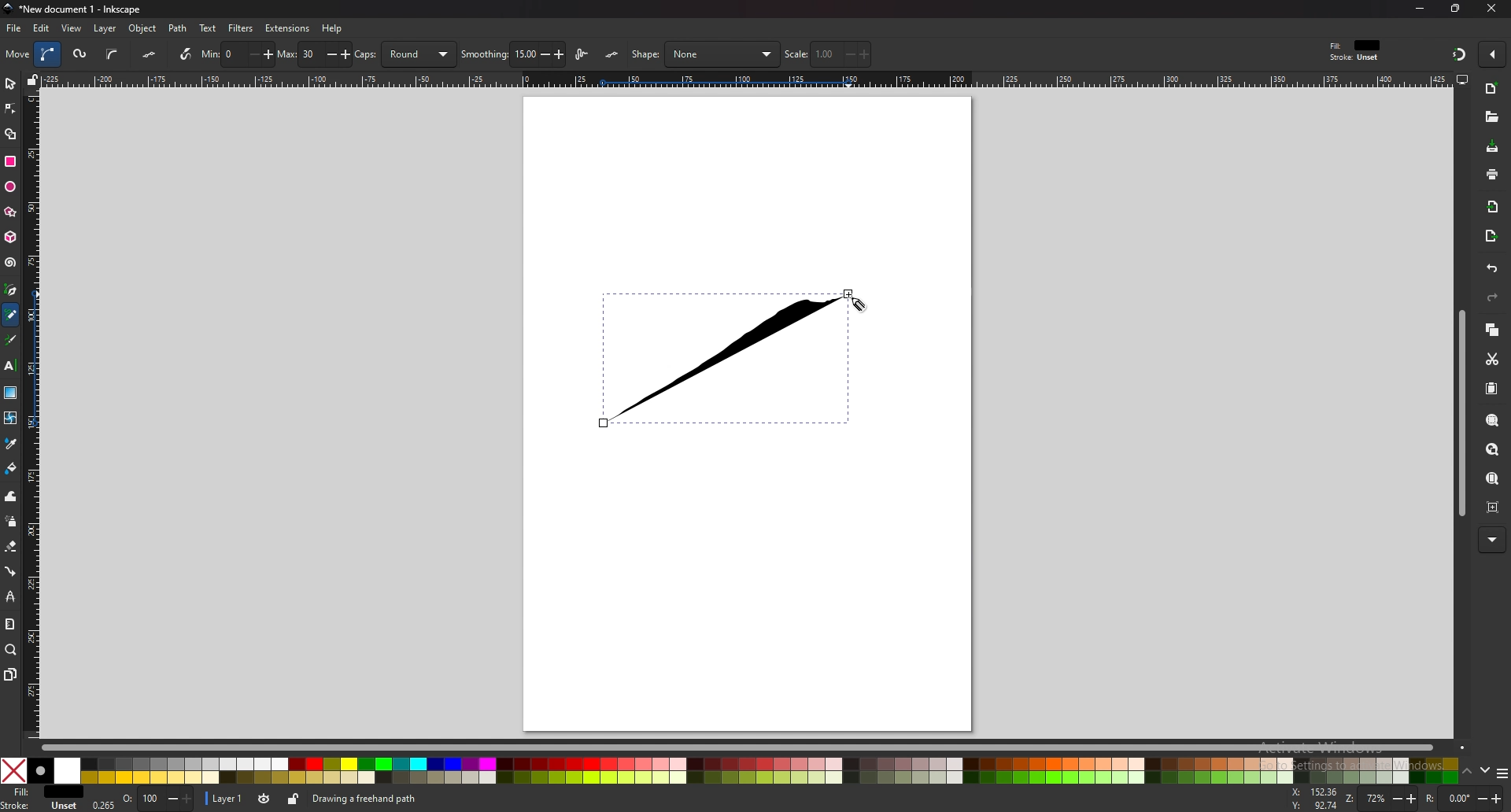 Image resolution: width=1511 pixels, height=812 pixels. What do you see at coordinates (10, 596) in the screenshot?
I see `lpe` at bounding box center [10, 596].